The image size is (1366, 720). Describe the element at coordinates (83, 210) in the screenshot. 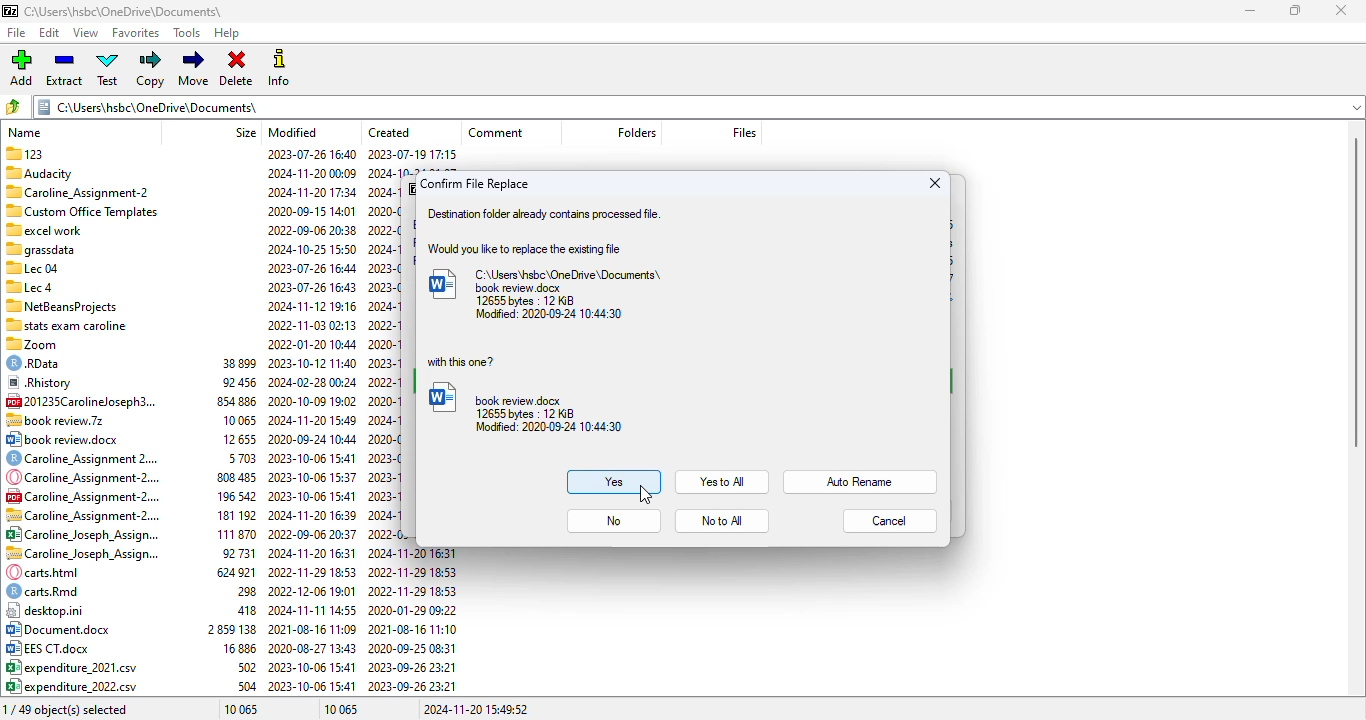

I see `Custom Office Templates` at that location.